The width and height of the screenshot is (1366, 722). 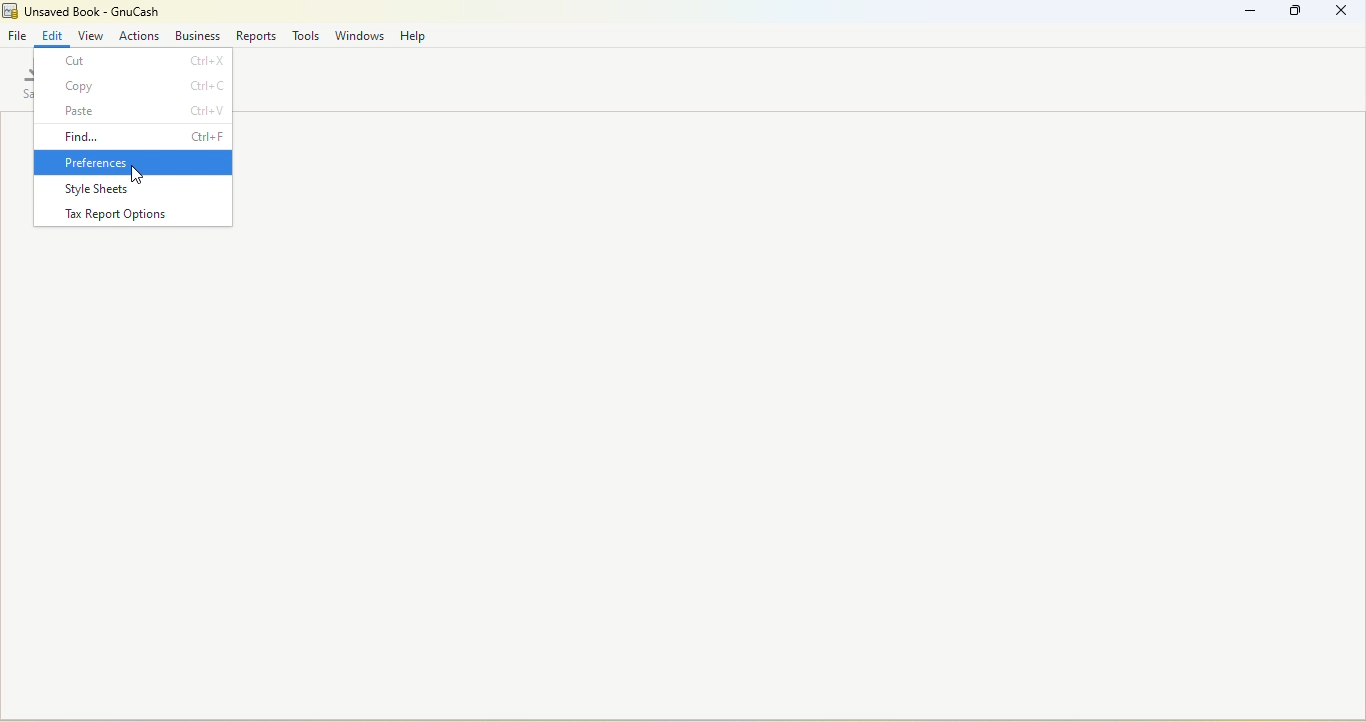 I want to click on Copy, so click(x=132, y=86).